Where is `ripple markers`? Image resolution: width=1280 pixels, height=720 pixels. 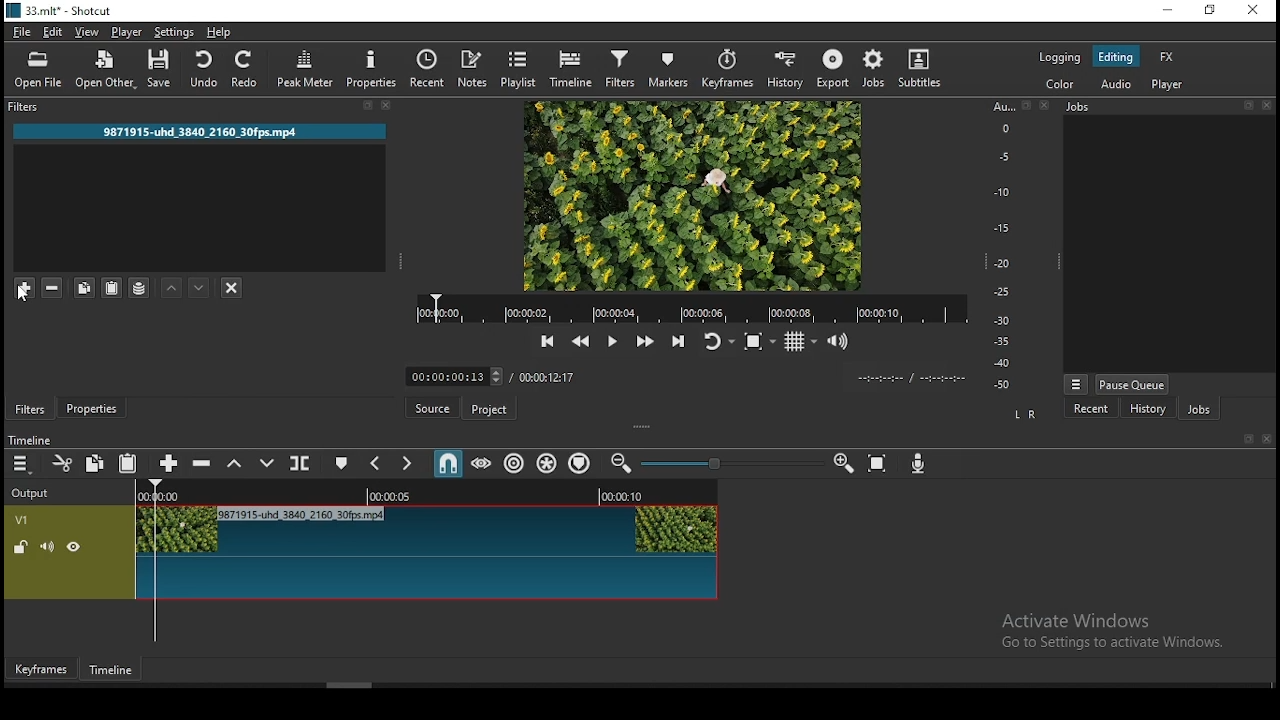
ripple markers is located at coordinates (546, 462).